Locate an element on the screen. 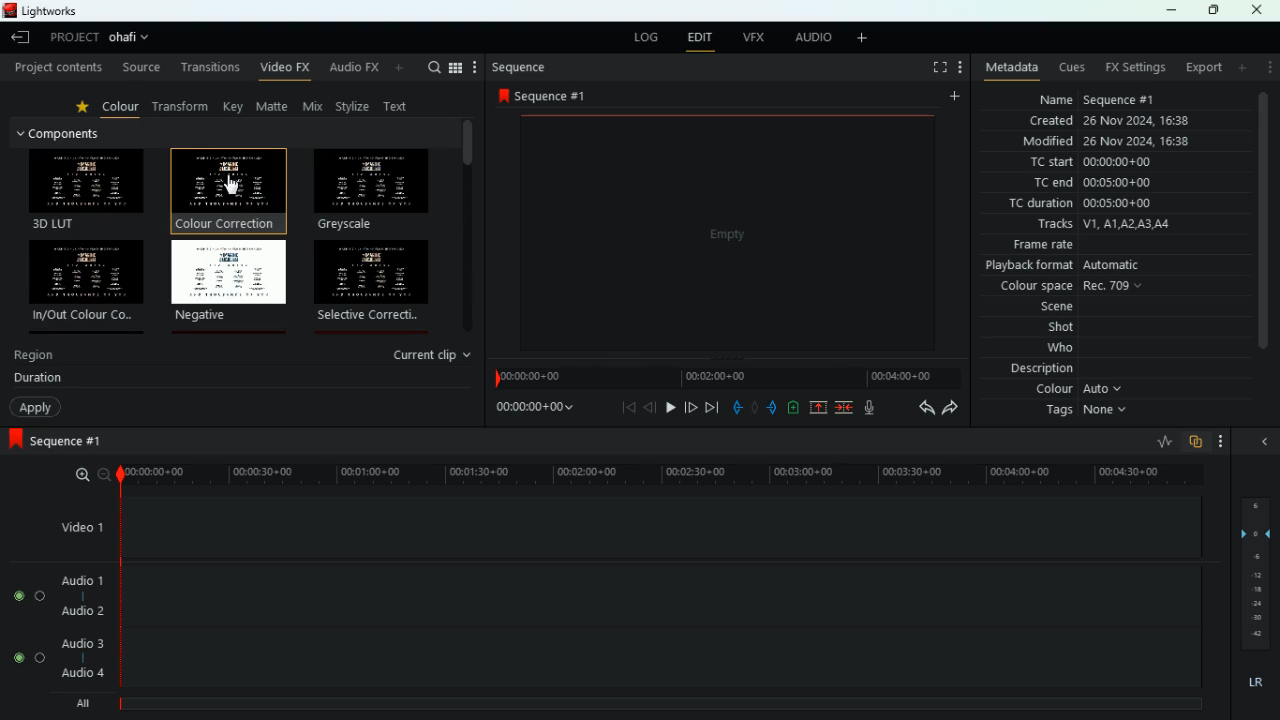 This screenshot has height=720, width=1280. audio 1 is located at coordinates (83, 580).